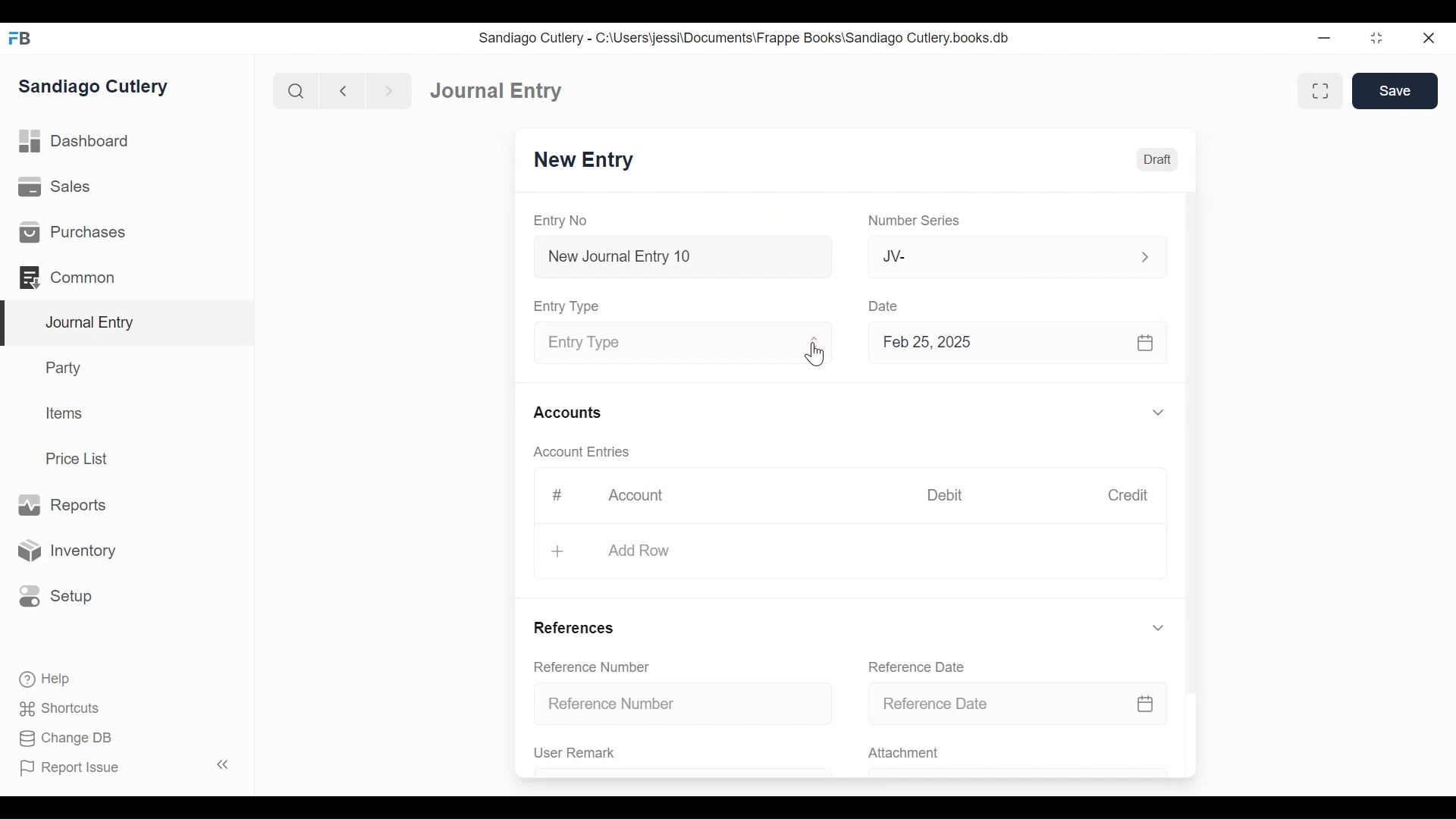 The height and width of the screenshot is (819, 1456). I want to click on Entry No, so click(565, 220).